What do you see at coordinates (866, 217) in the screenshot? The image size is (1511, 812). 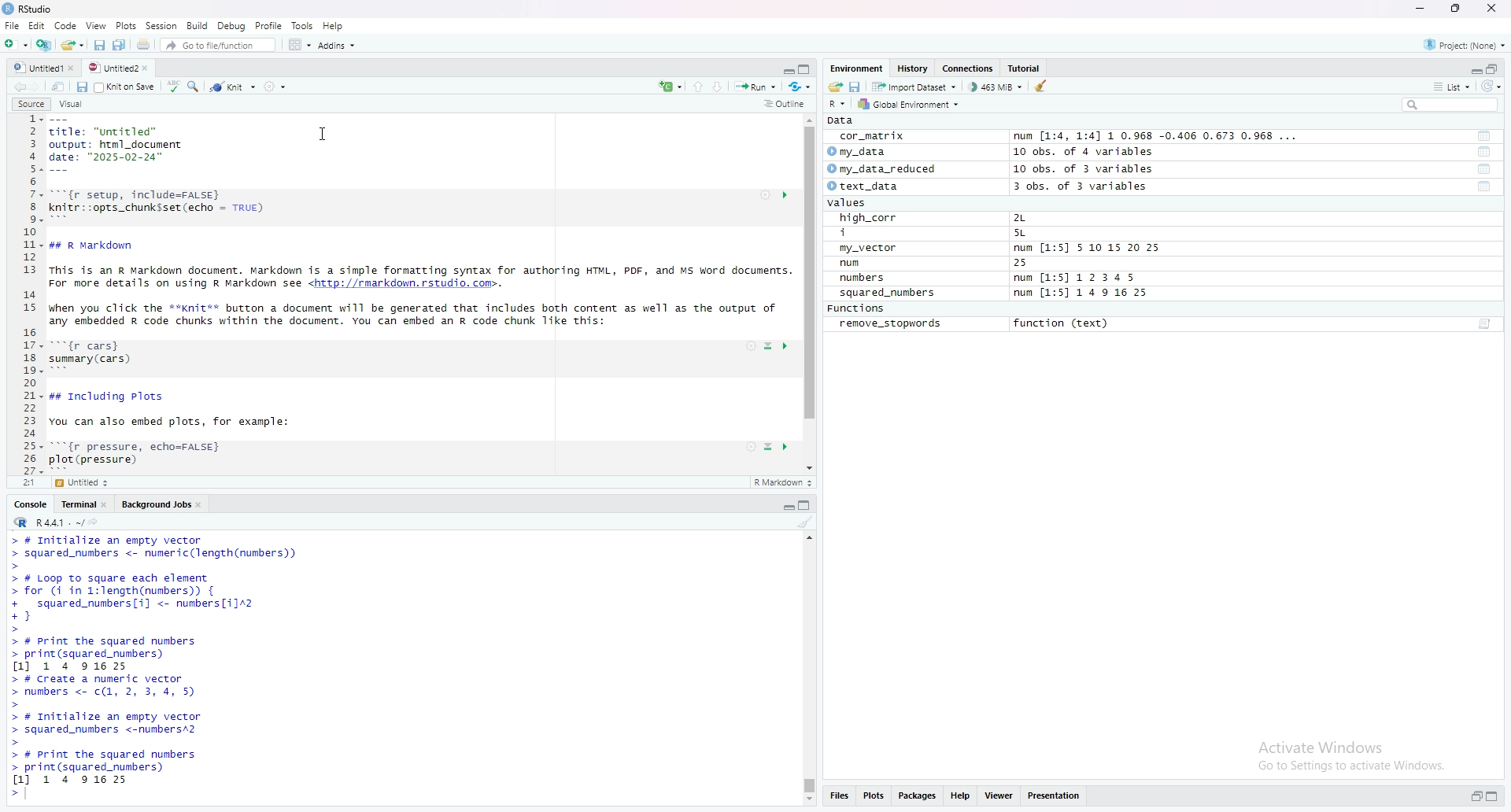 I see `high_corr` at bounding box center [866, 217].